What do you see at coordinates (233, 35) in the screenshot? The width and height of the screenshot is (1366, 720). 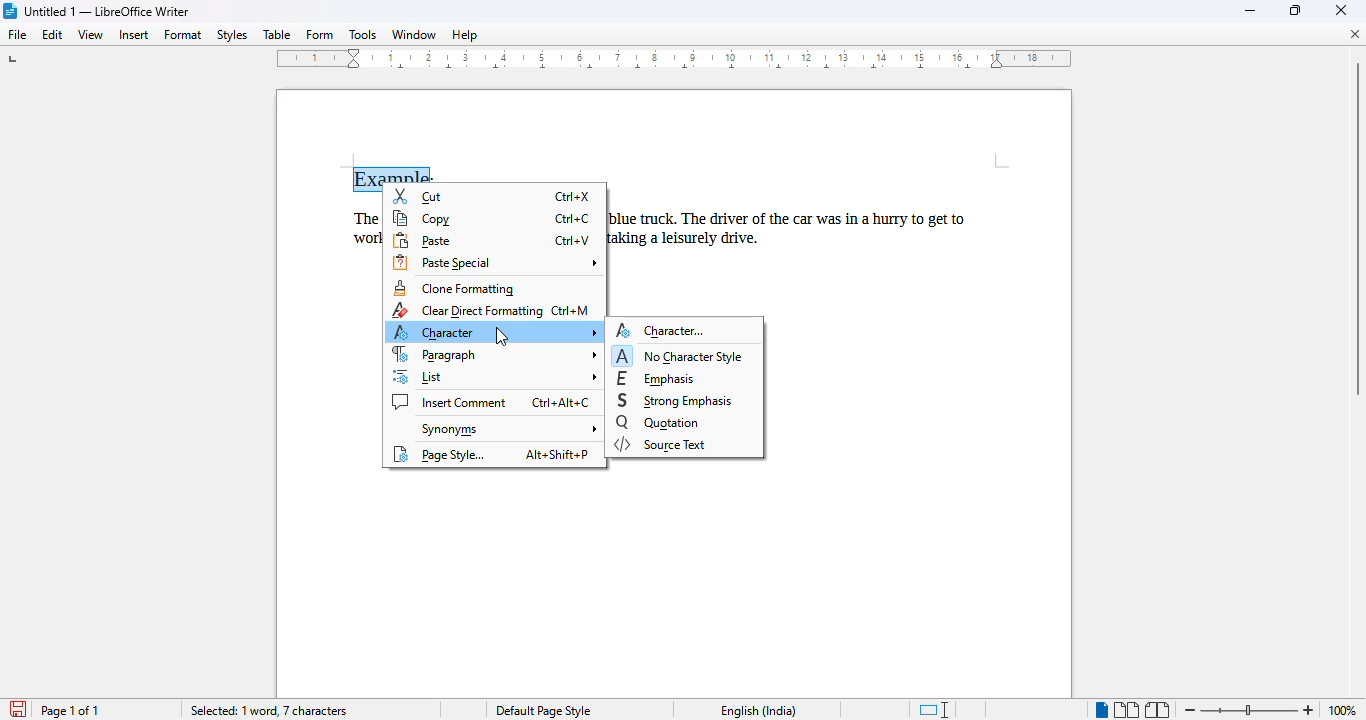 I see `styles` at bounding box center [233, 35].